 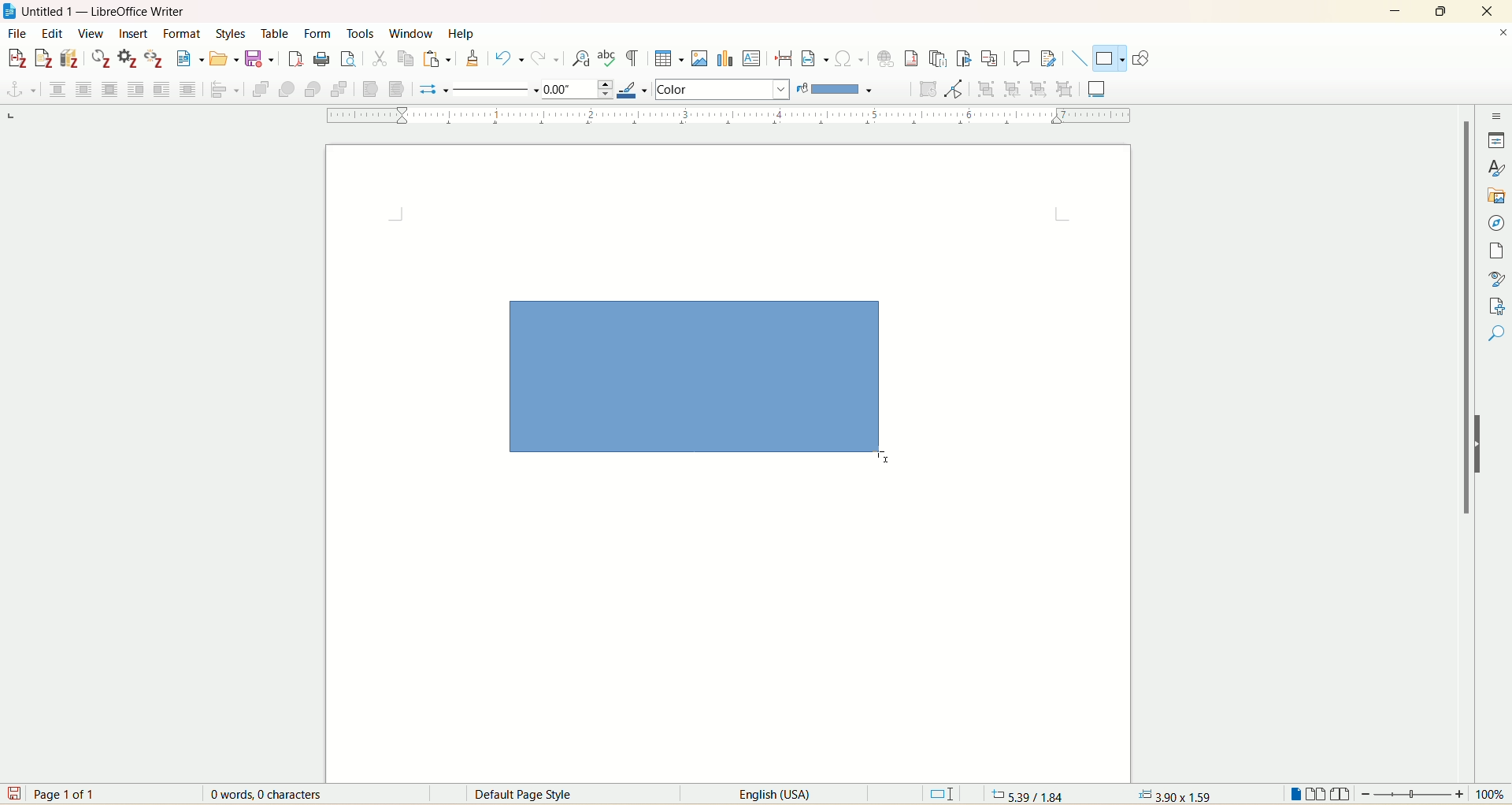 What do you see at coordinates (16, 35) in the screenshot?
I see `file` at bounding box center [16, 35].